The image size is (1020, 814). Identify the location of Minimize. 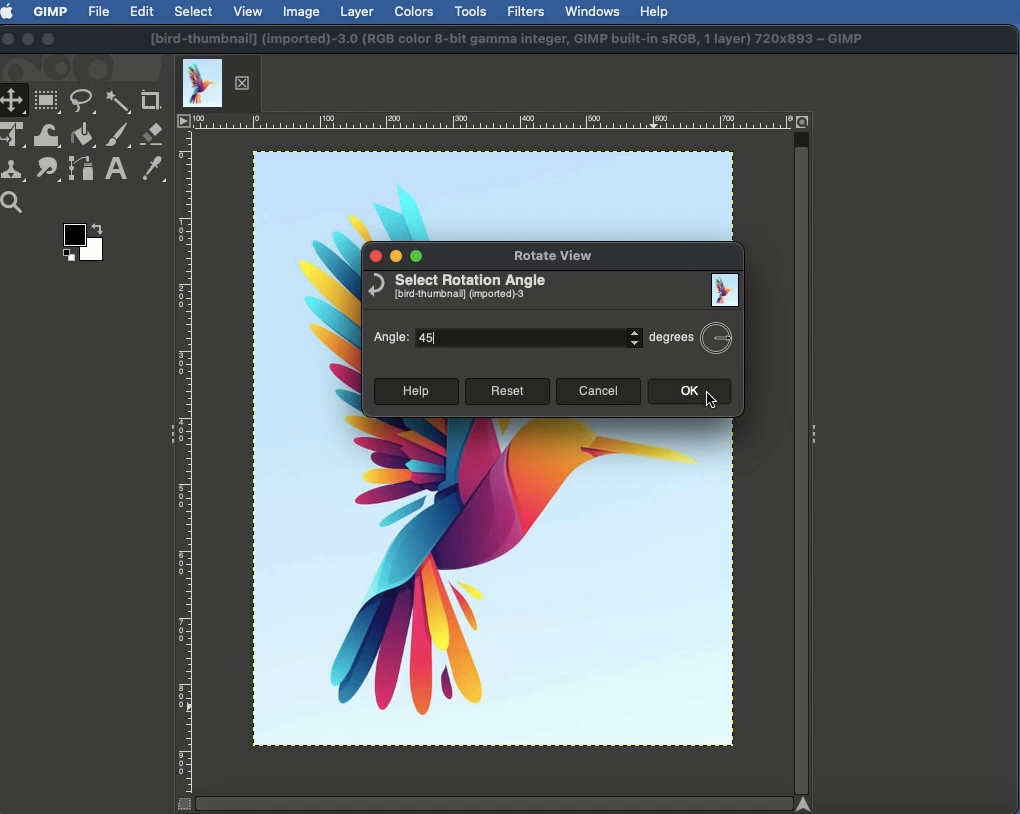
(28, 38).